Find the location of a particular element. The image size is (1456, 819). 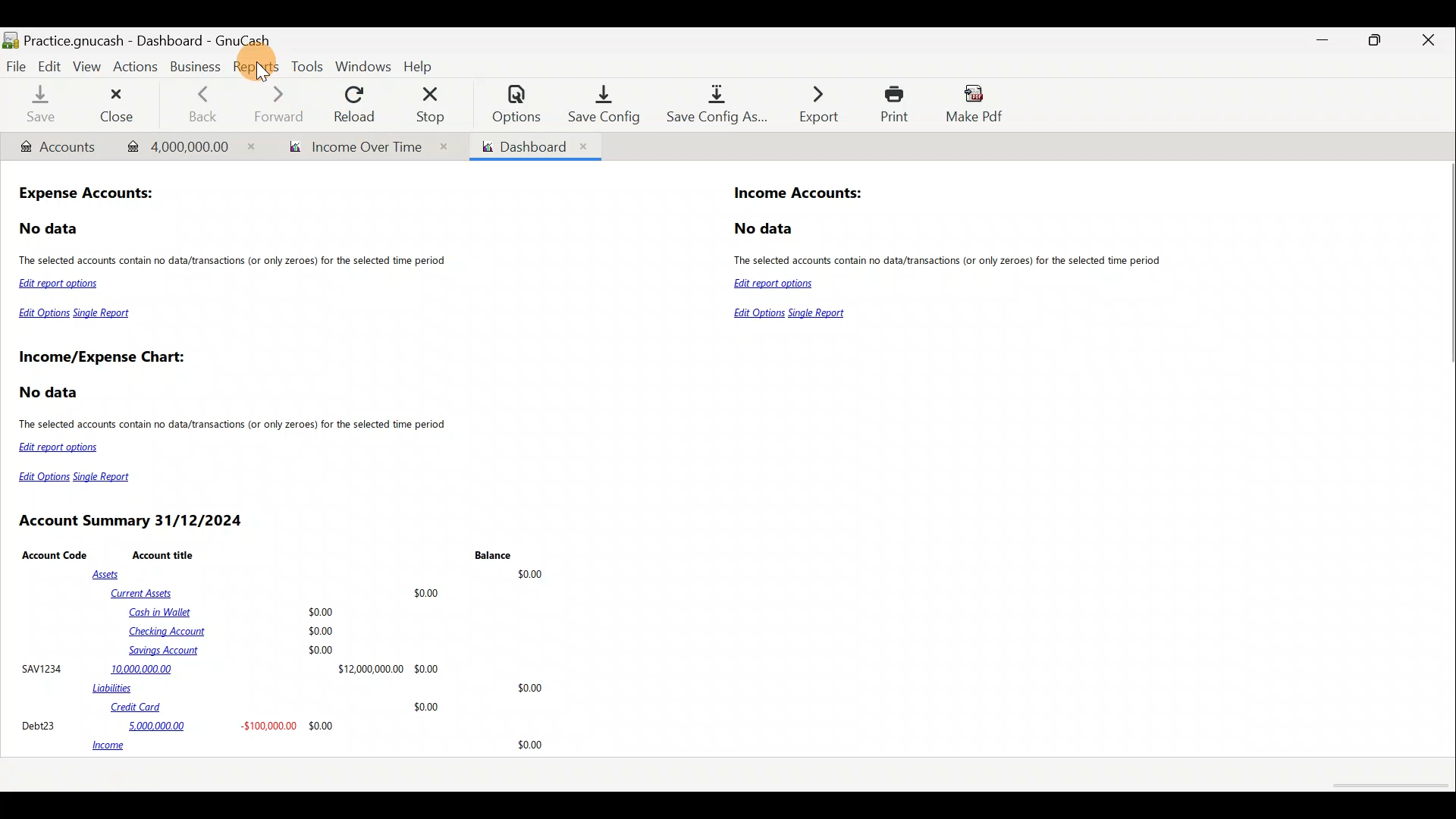

scroll is located at coordinates (1388, 786).